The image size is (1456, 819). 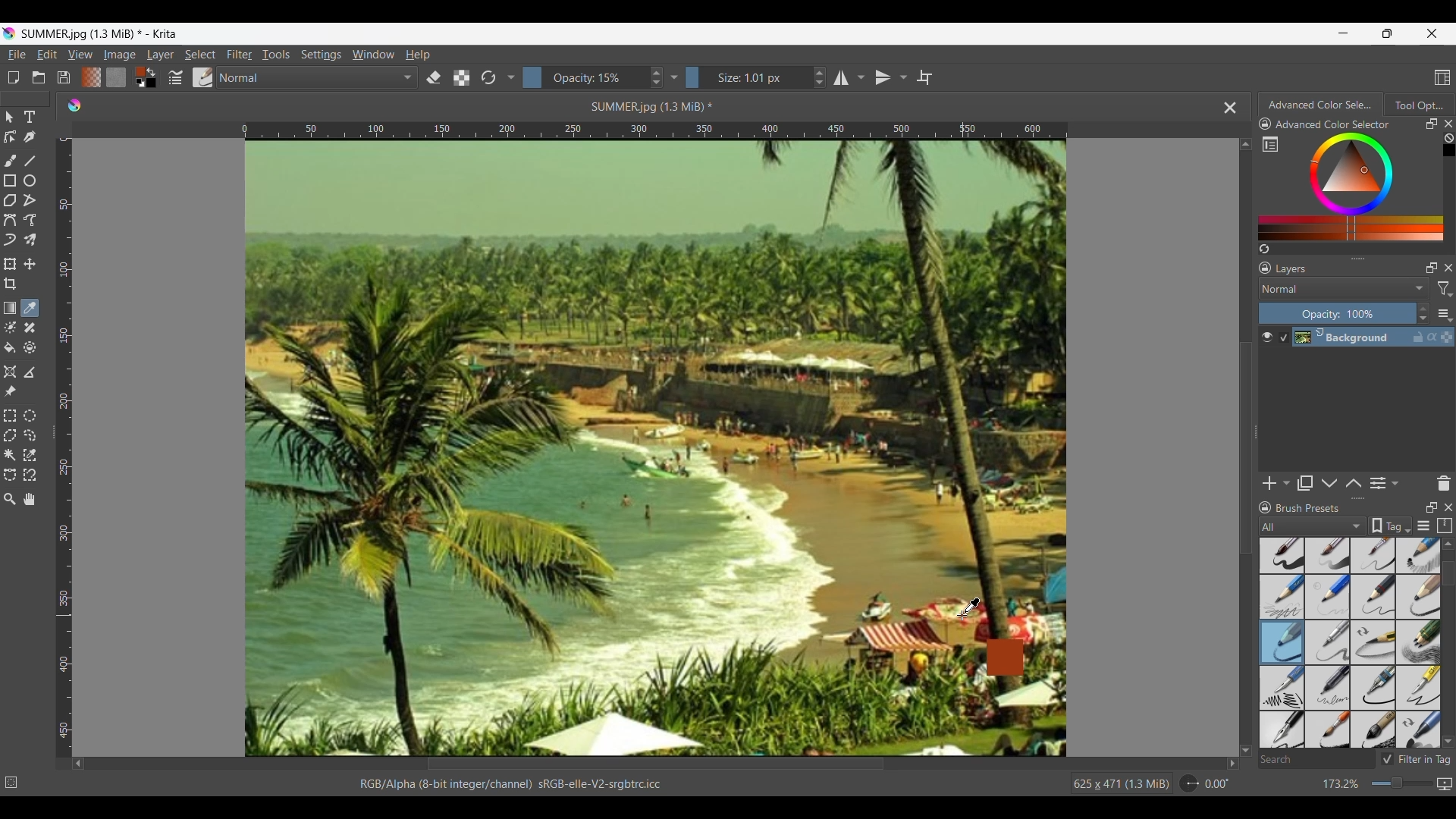 I want to click on Zoom tool, so click(x=9, y=500).